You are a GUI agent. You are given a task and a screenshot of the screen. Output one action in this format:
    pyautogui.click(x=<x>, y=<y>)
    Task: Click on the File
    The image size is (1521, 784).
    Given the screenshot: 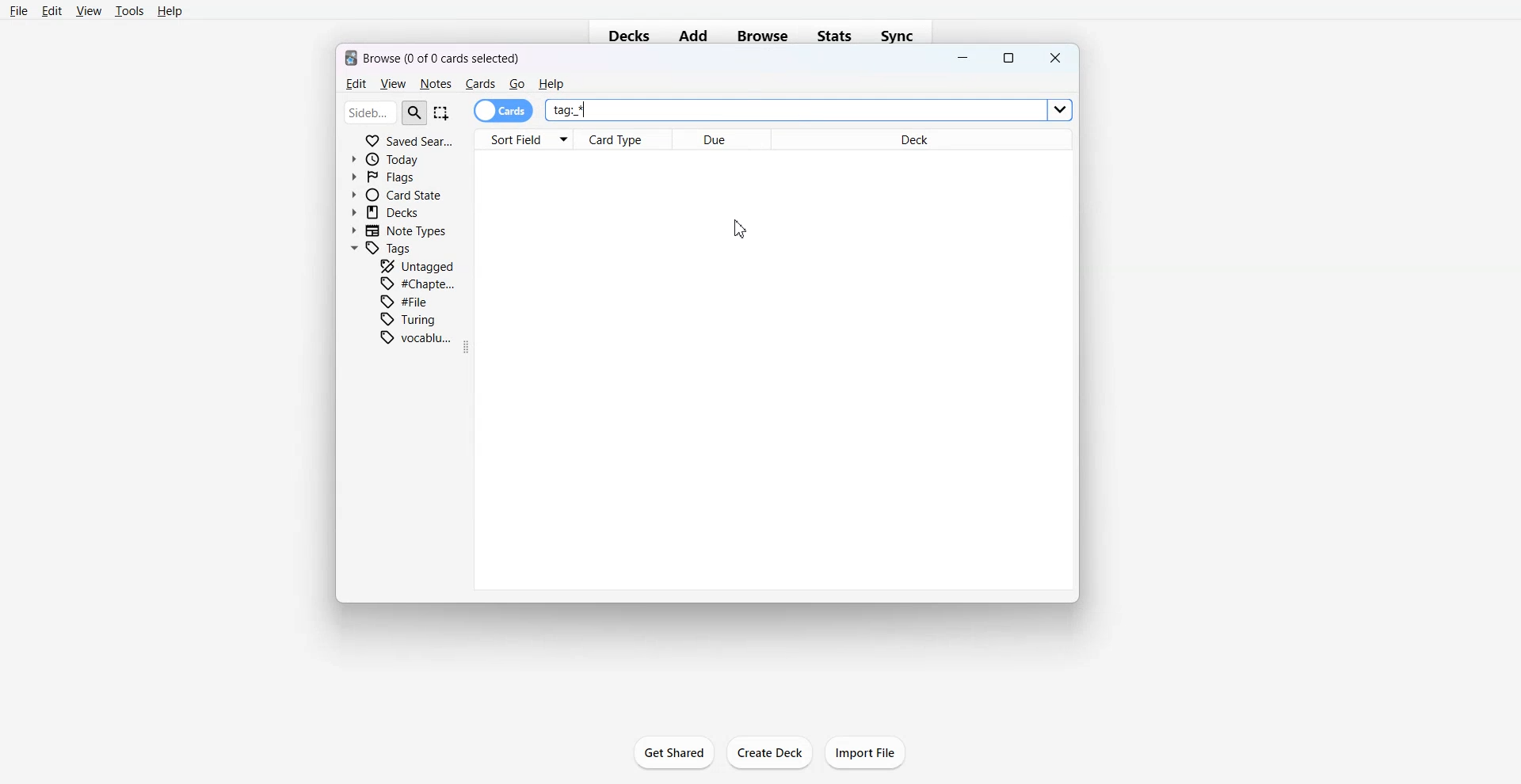 What is the action you would take?
    pyautogui.click(x=408, y=301)
    